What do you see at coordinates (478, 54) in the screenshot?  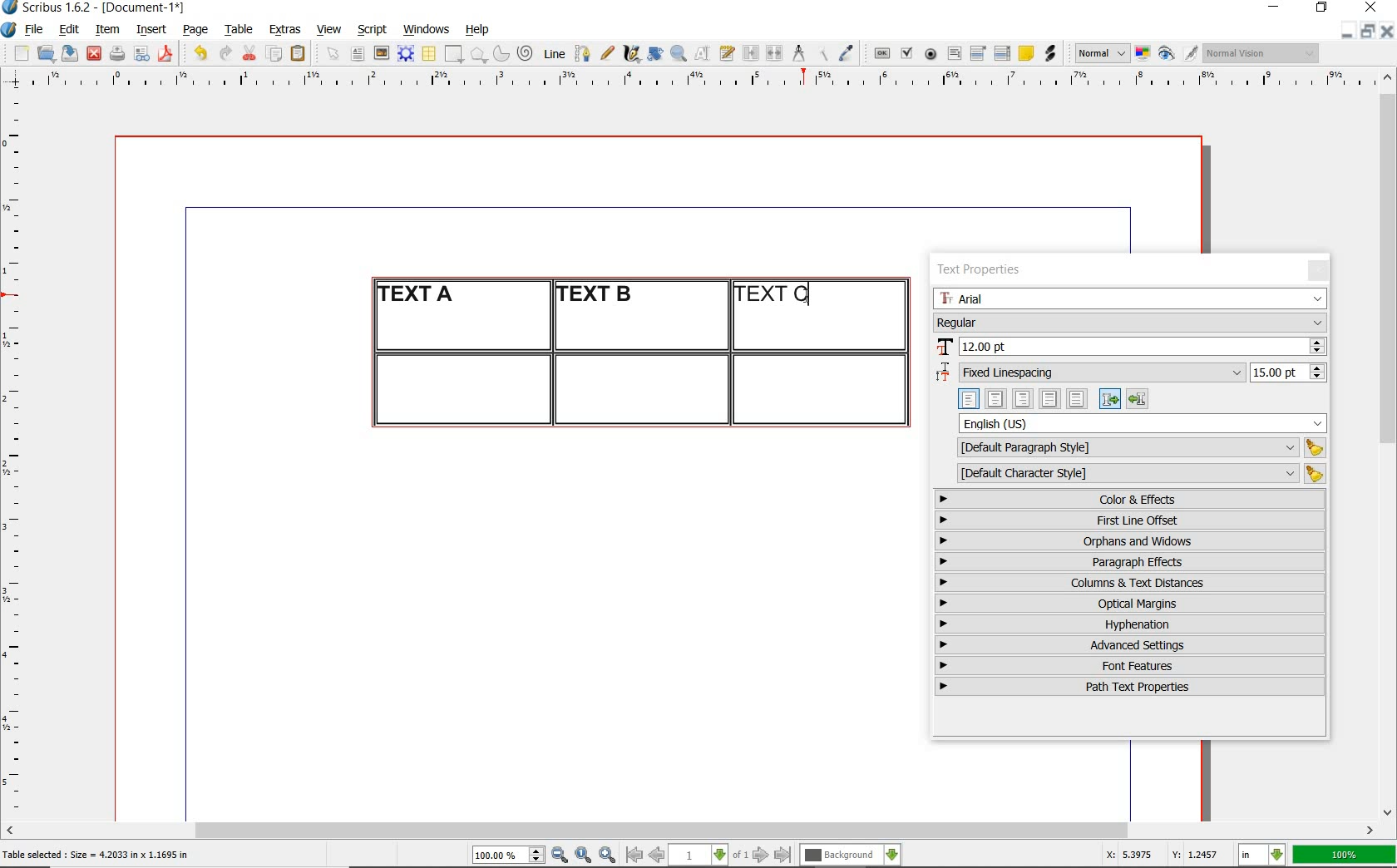 I see `polygon` at bounding box center [478, 54].